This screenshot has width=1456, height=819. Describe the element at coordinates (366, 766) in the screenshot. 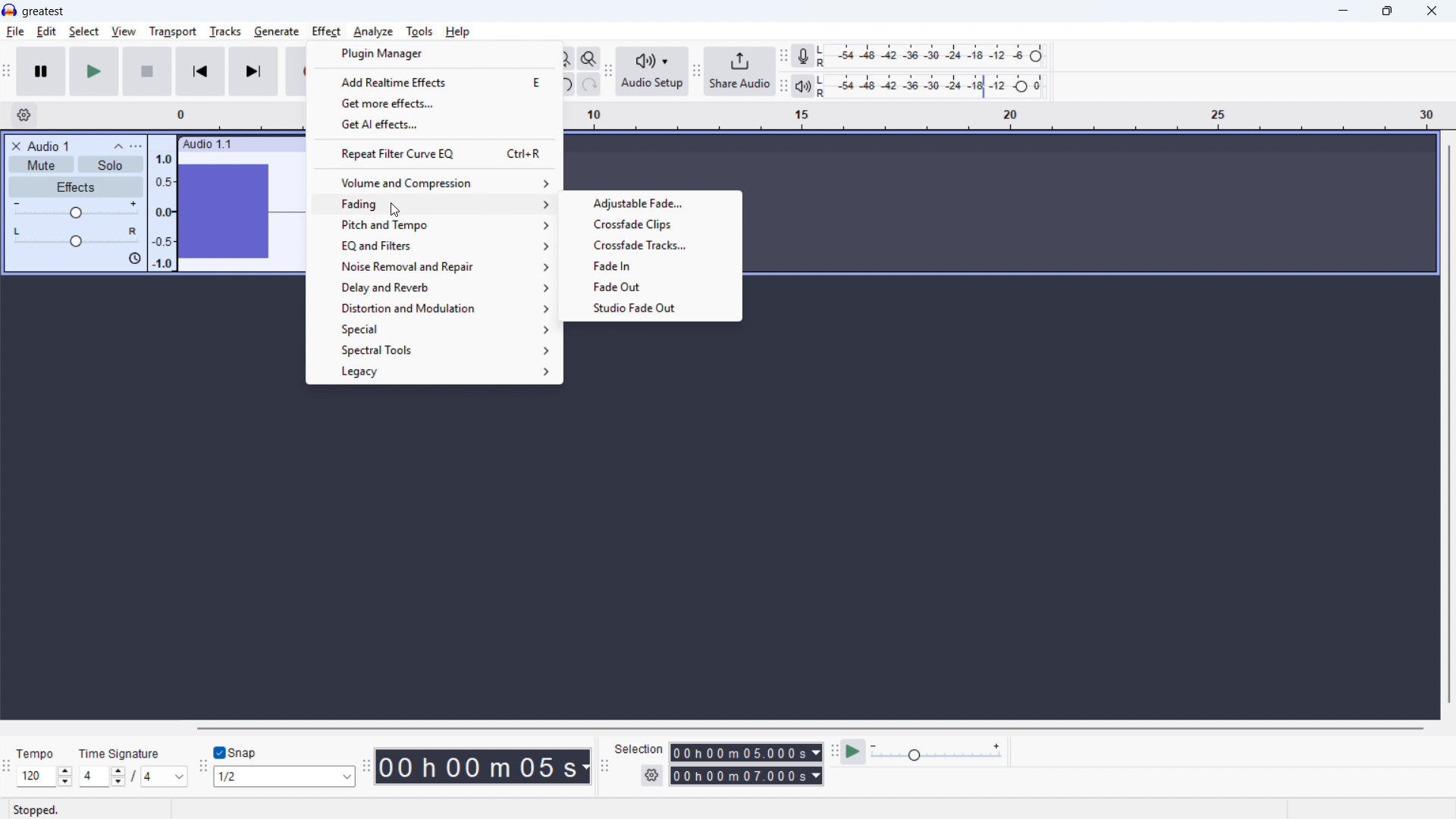

I see `Time toolbar ` at that location.